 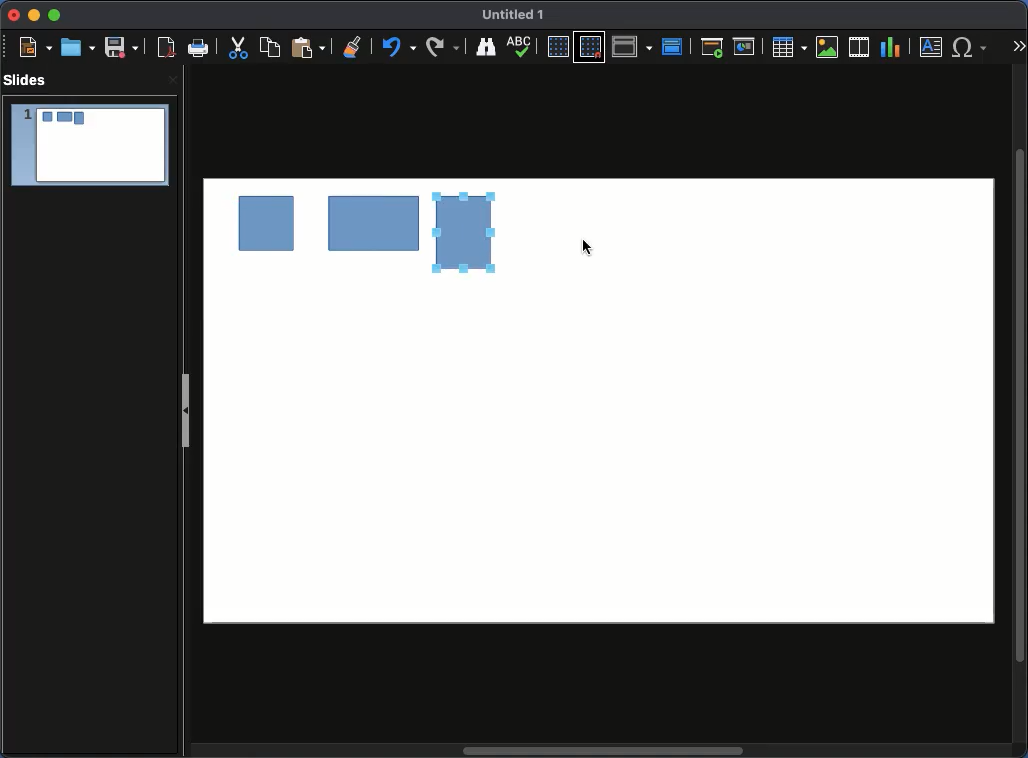 What do you see at coordinates (931, 48) in the screenshot?
I see `Textbox` at bounding box center [931, 48].